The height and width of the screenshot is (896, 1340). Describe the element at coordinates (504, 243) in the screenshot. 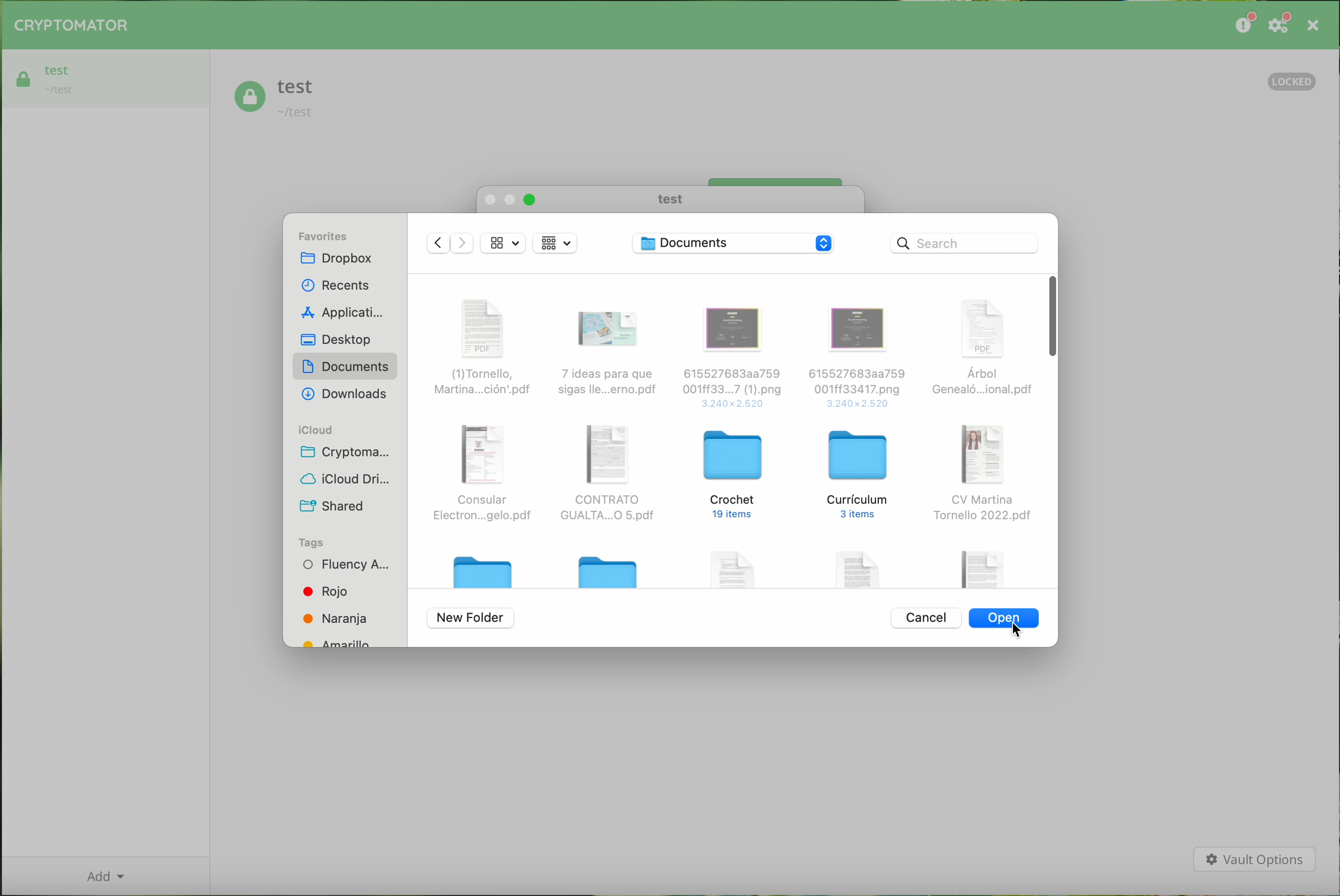

I see `grid view` at that location.